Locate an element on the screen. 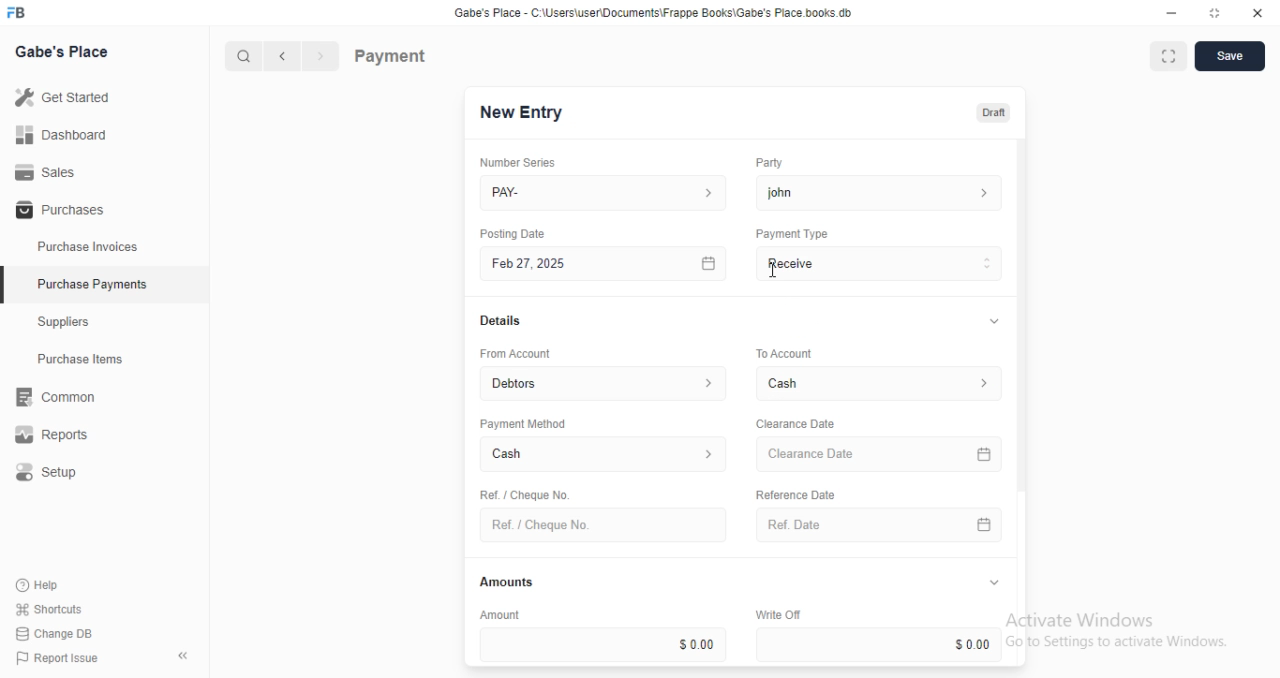 This screenshot has height=678, width=1280. PAY- is located at coordinates (605, 193).